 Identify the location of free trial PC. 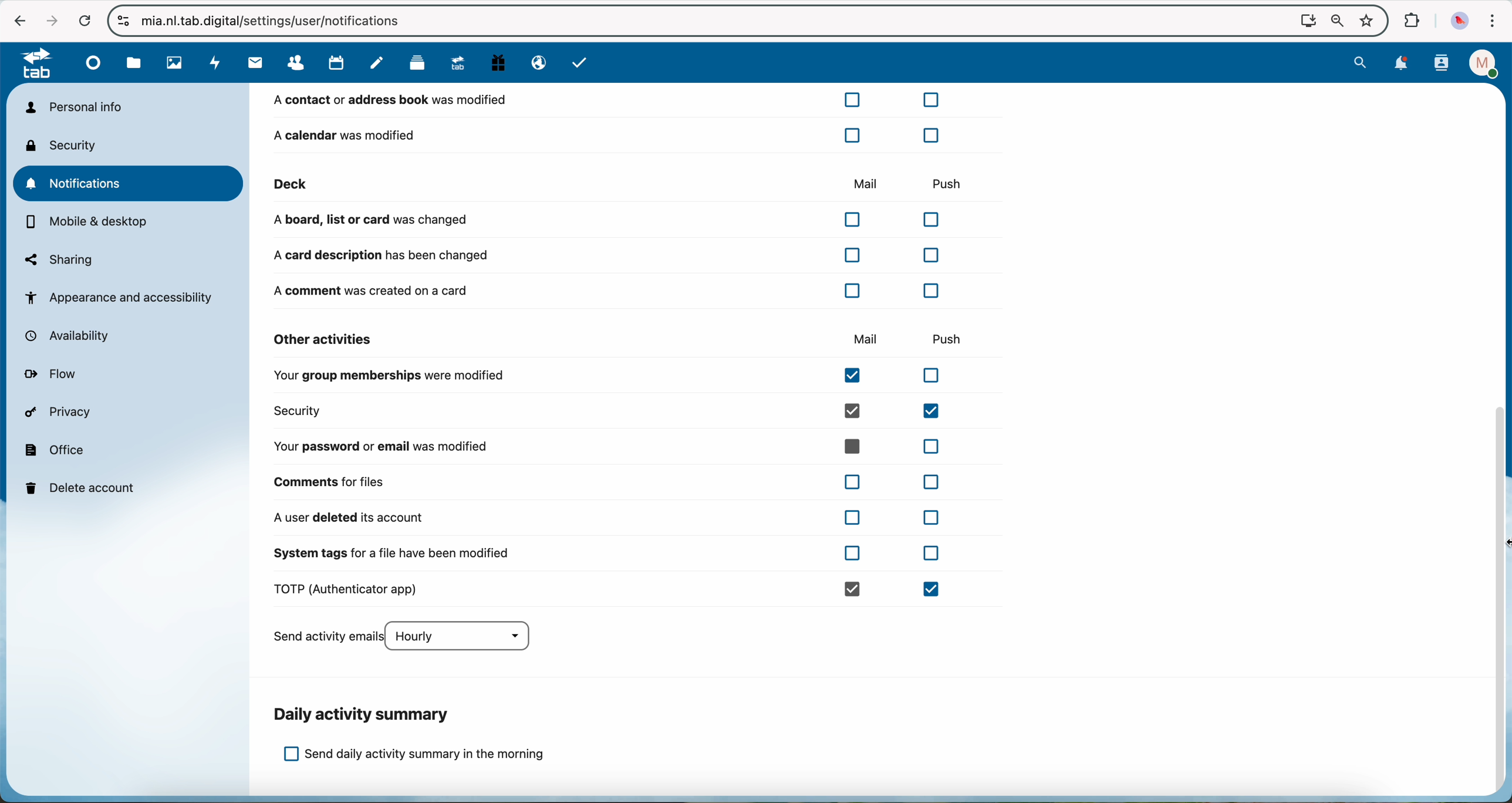
(500, 65).